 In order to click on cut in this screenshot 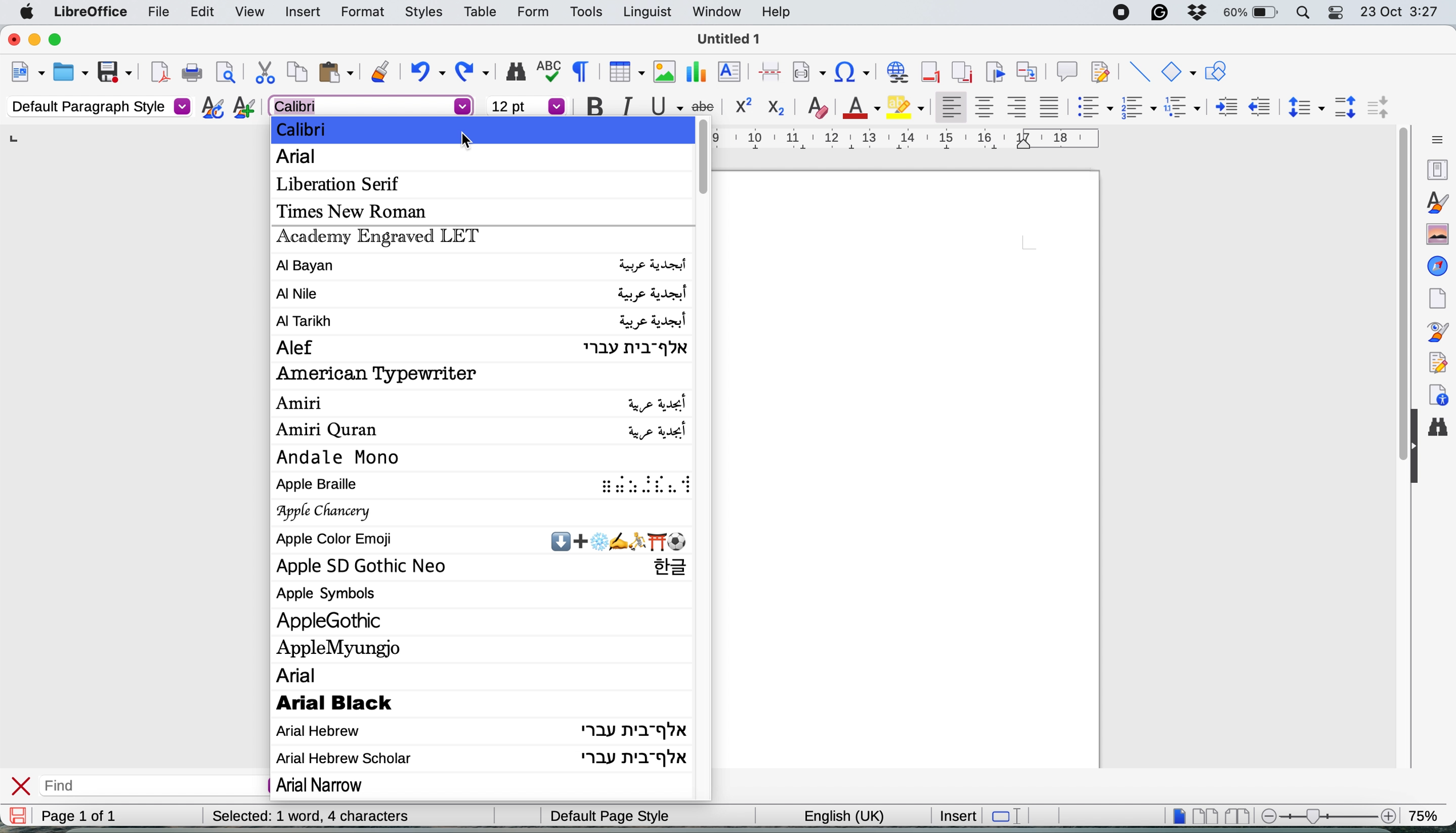, I will do `click(262, 73)`.